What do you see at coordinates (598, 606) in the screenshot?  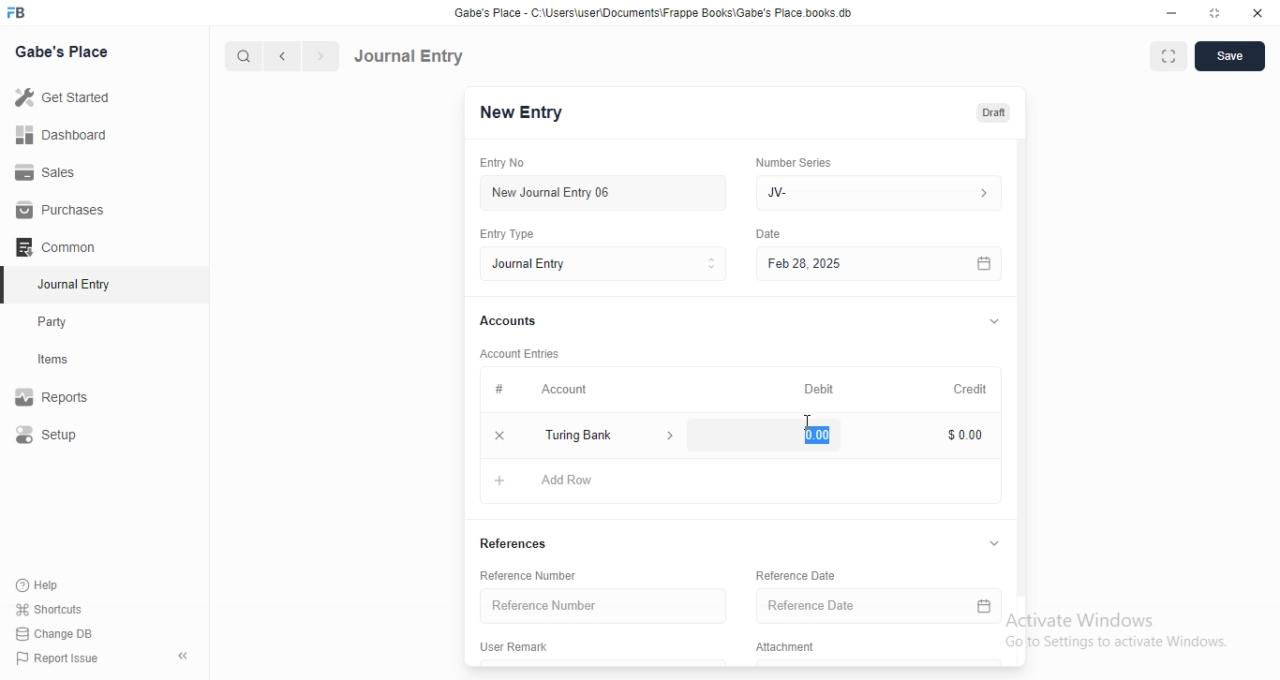 I see `Reference Number` at bounding box center [598, 606].